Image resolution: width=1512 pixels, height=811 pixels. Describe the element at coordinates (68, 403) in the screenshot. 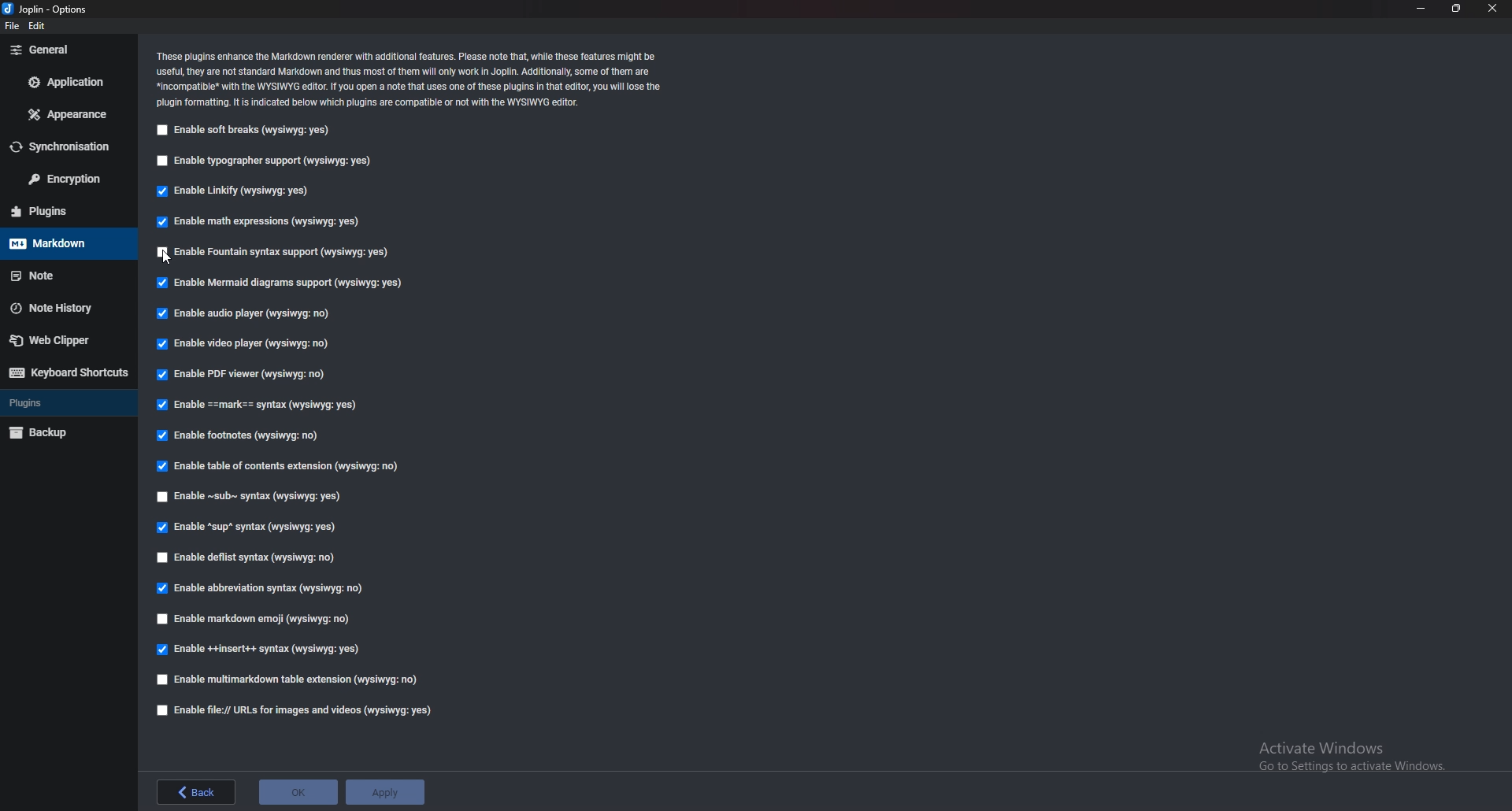

I see `Plugins` at that location.